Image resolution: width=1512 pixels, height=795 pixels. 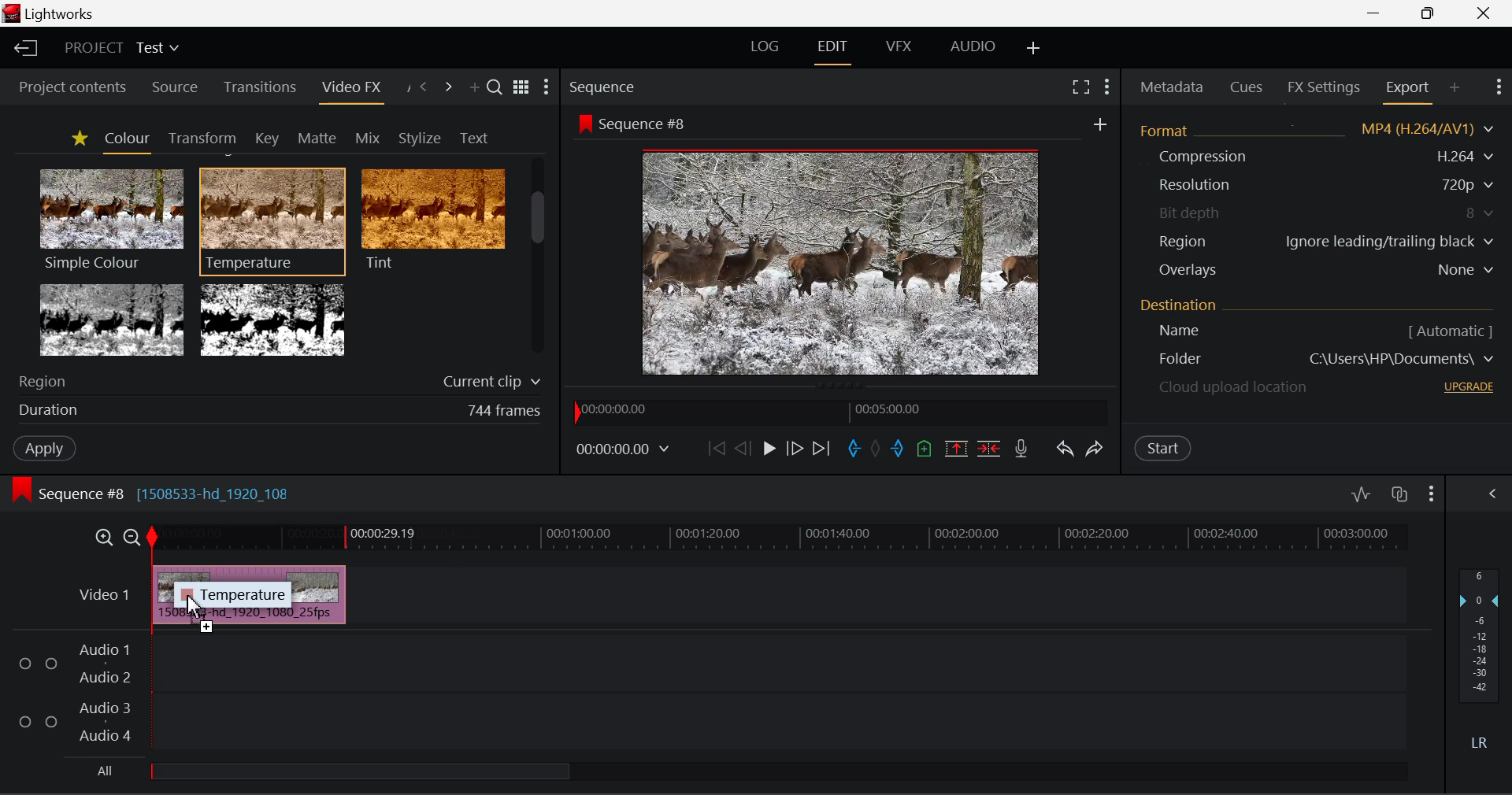 I want to click on Checkbox, so click(x=50, y=720).